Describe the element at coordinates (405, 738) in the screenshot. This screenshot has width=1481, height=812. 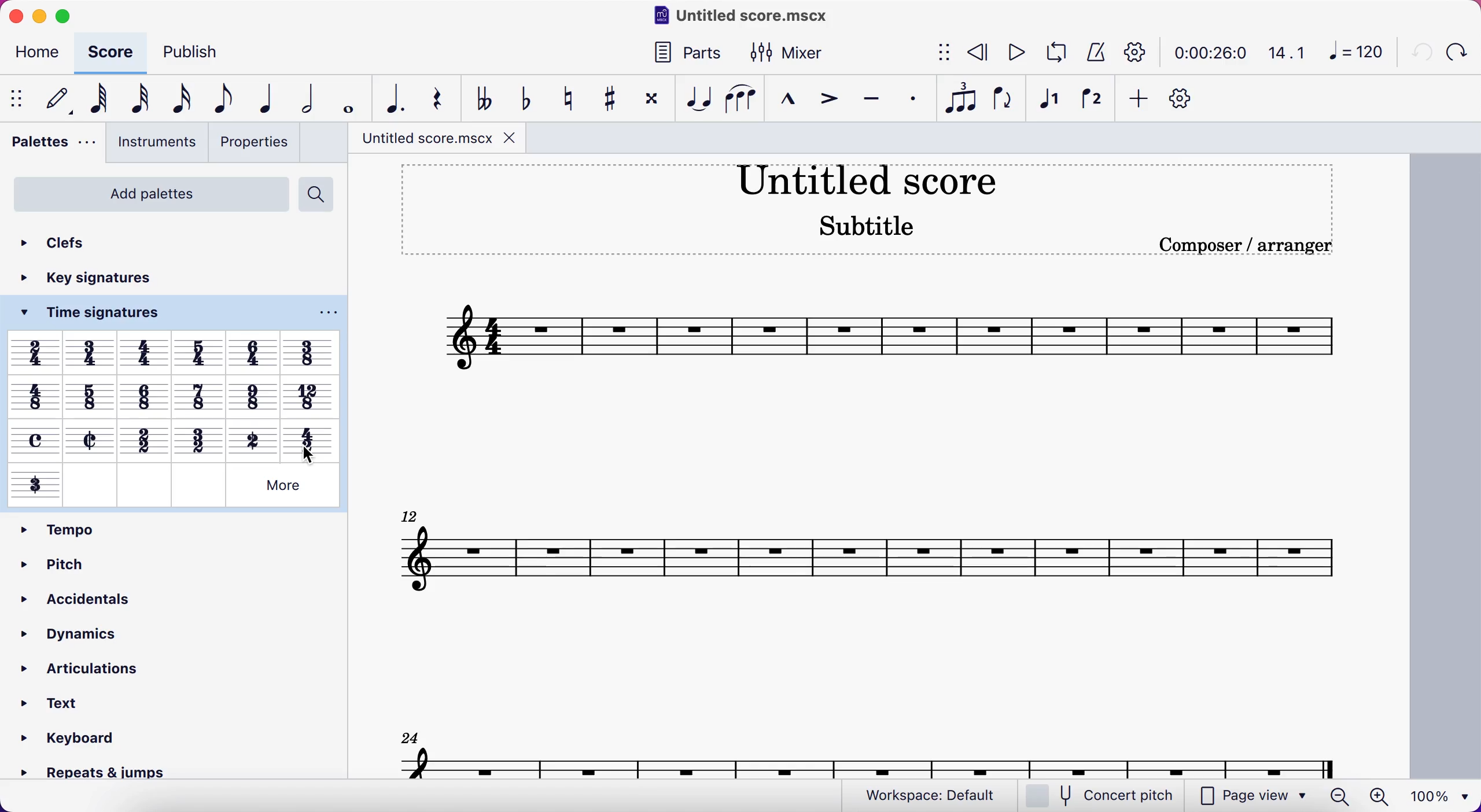
I see `24` at that location.